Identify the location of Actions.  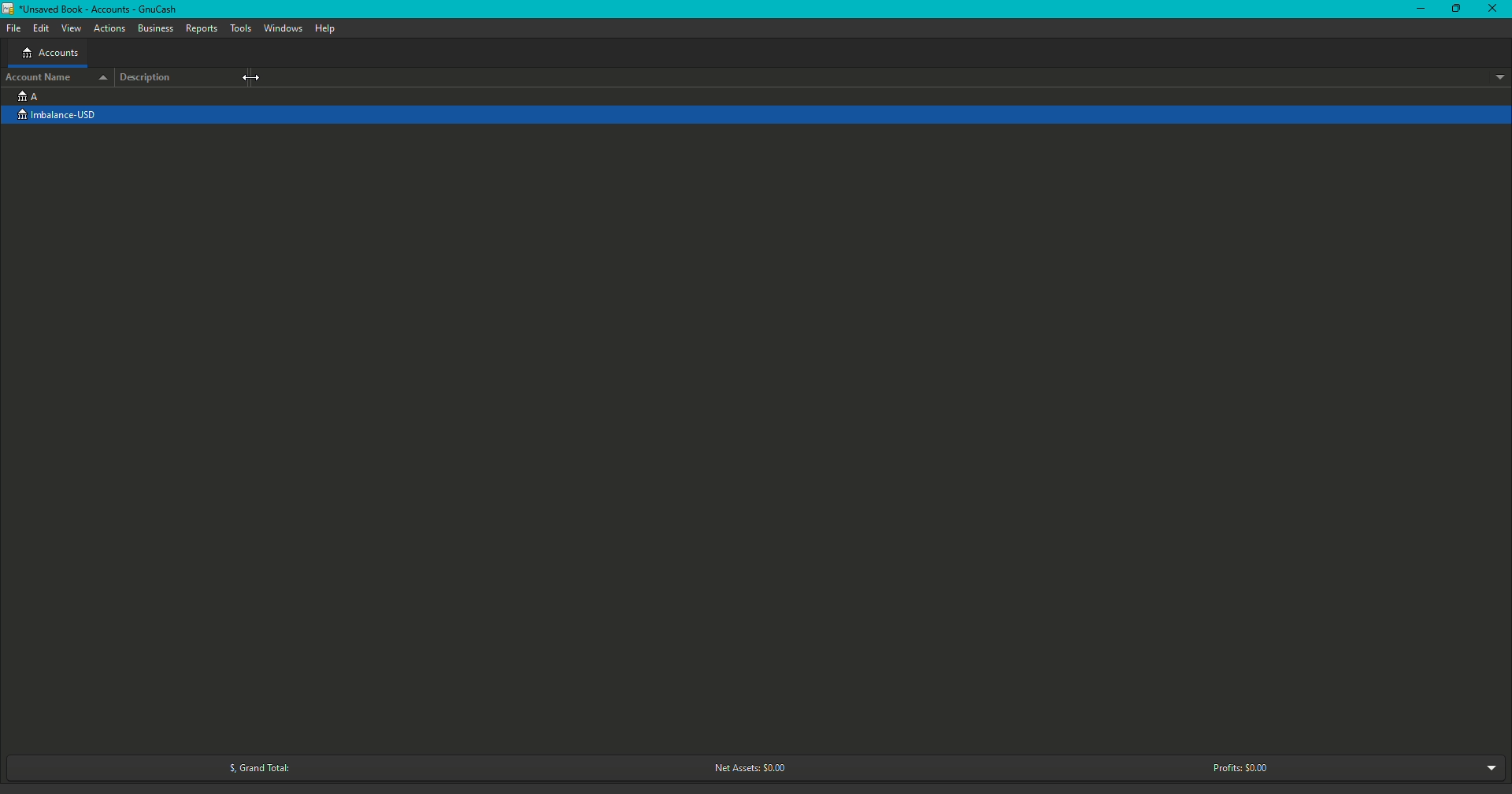
(110, 29).